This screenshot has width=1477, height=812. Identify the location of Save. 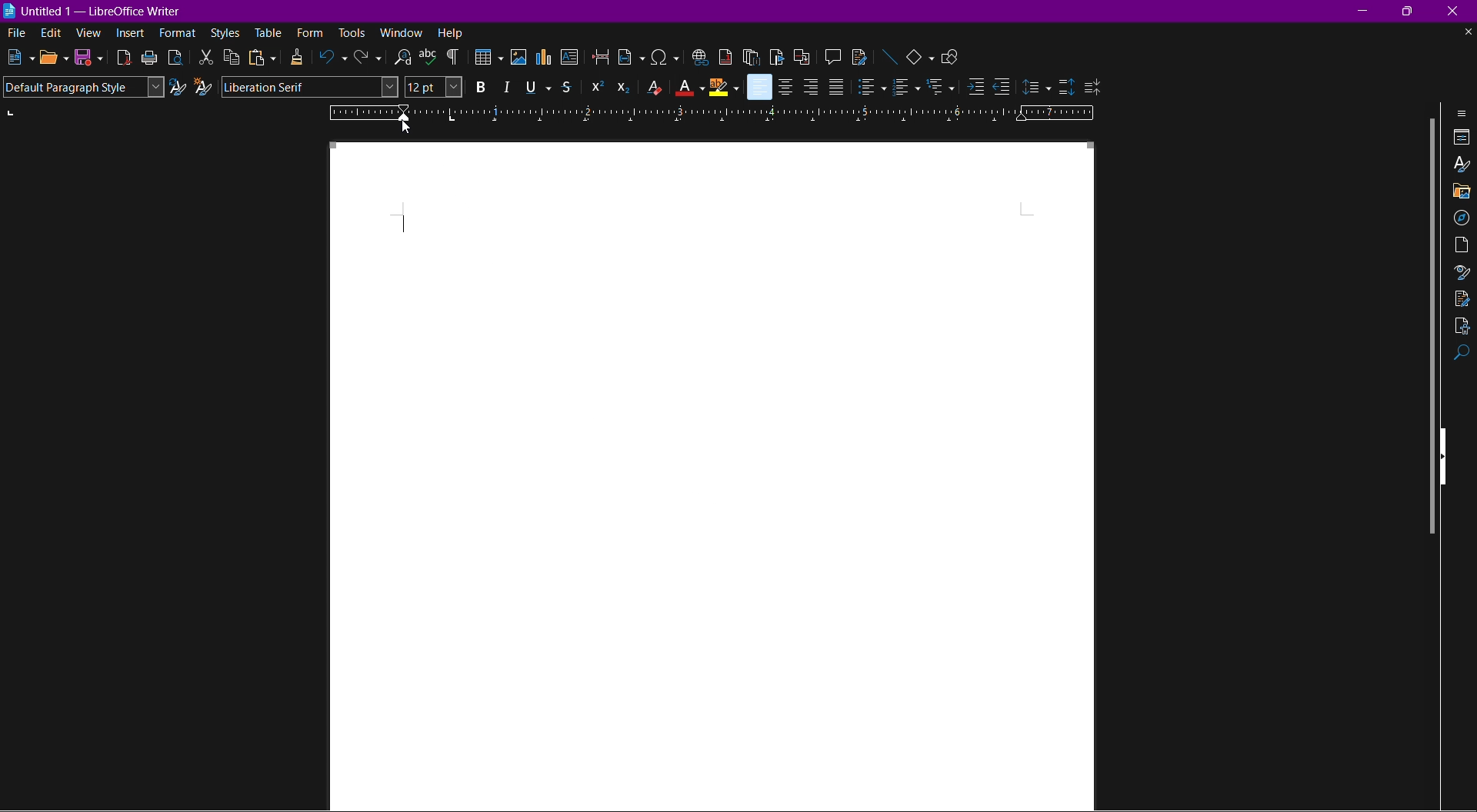
(89, 58).